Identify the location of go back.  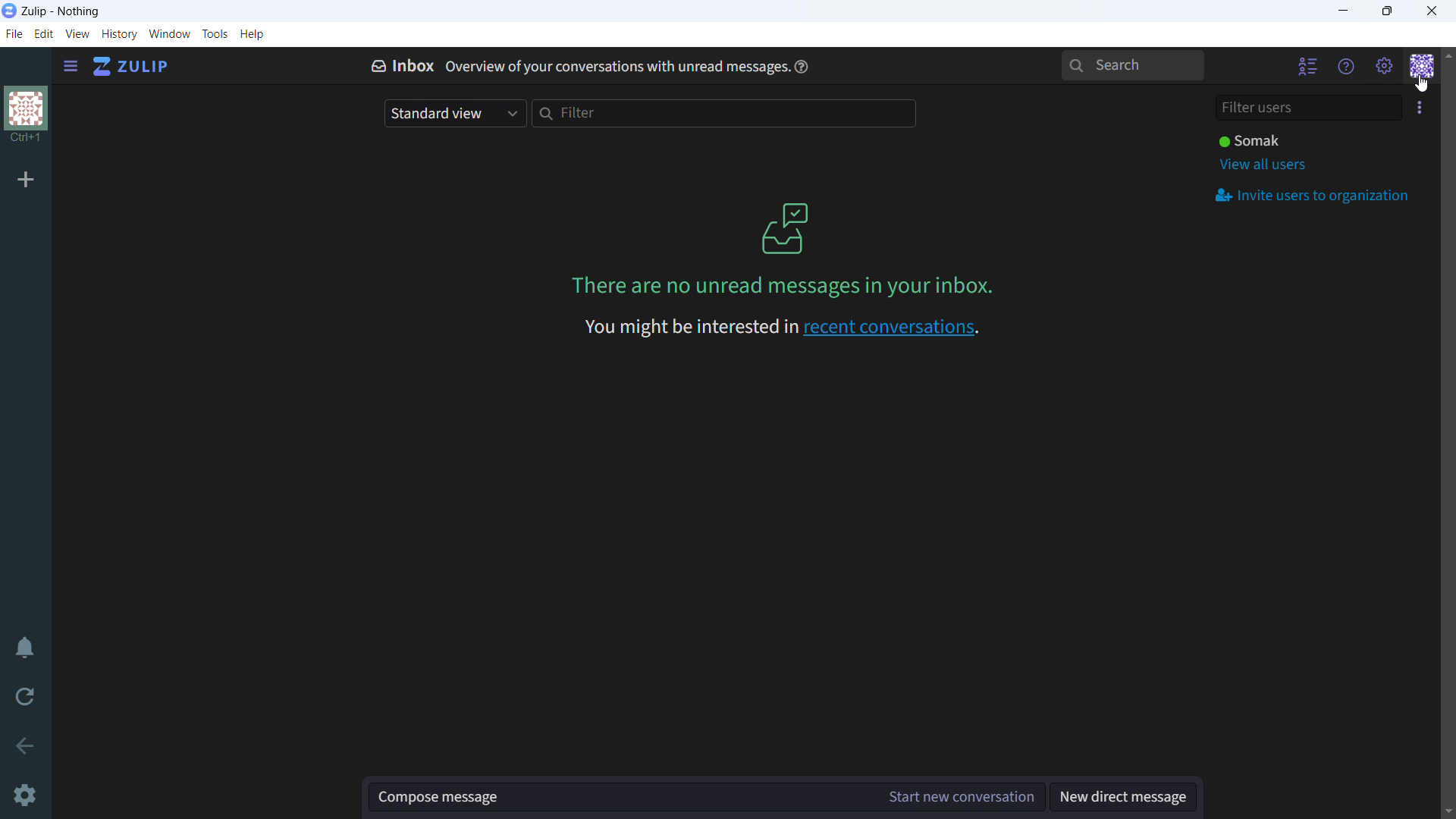
(25, 746).